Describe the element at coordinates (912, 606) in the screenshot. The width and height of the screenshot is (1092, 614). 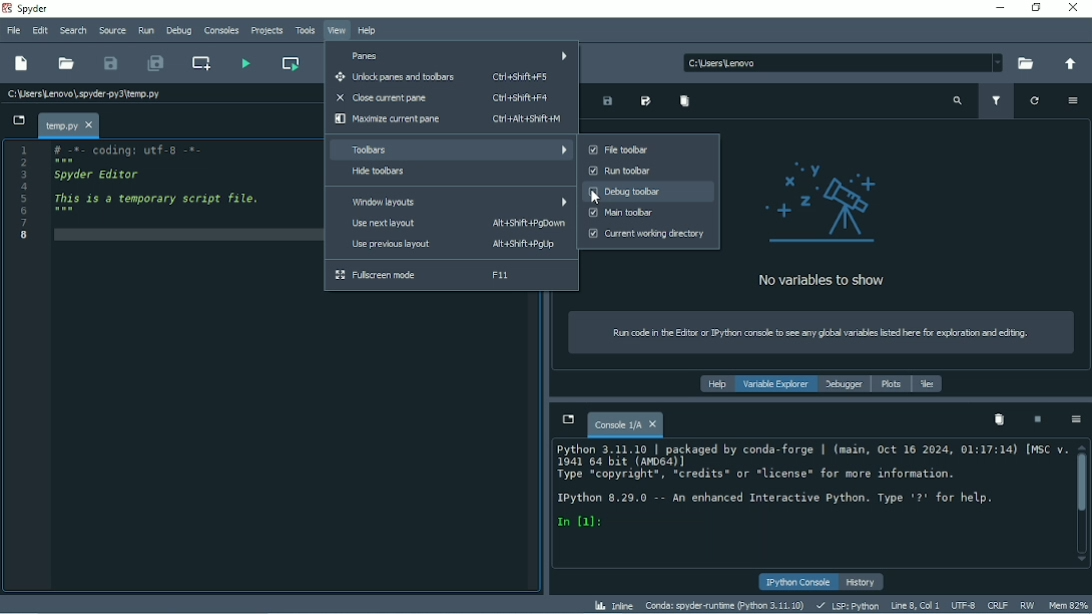
I see `Line 8, Col 1` at that location.